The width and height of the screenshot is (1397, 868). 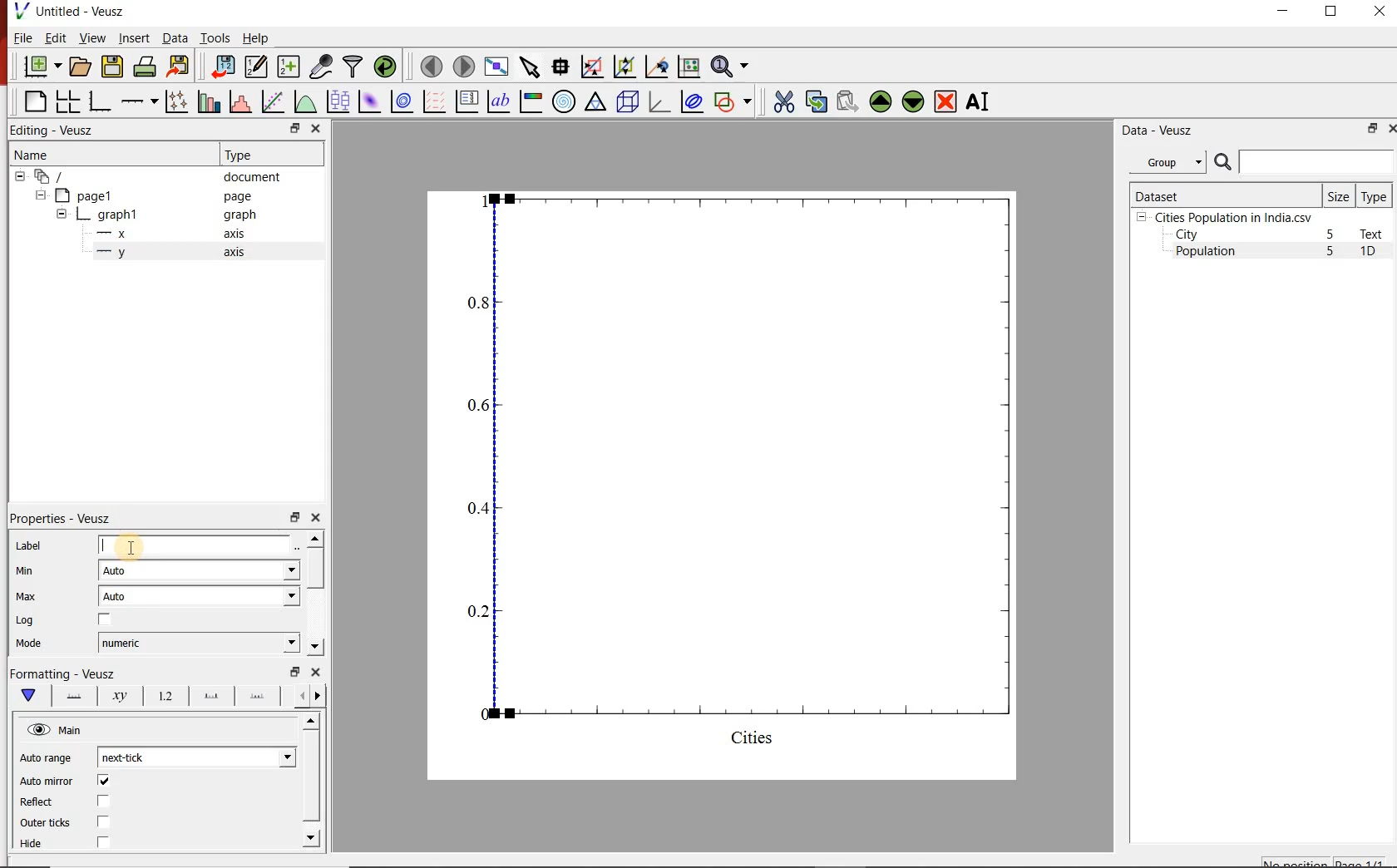 I want to click on click or draw a rectangle to zoom graph indexes, so click(x=590, y=66).